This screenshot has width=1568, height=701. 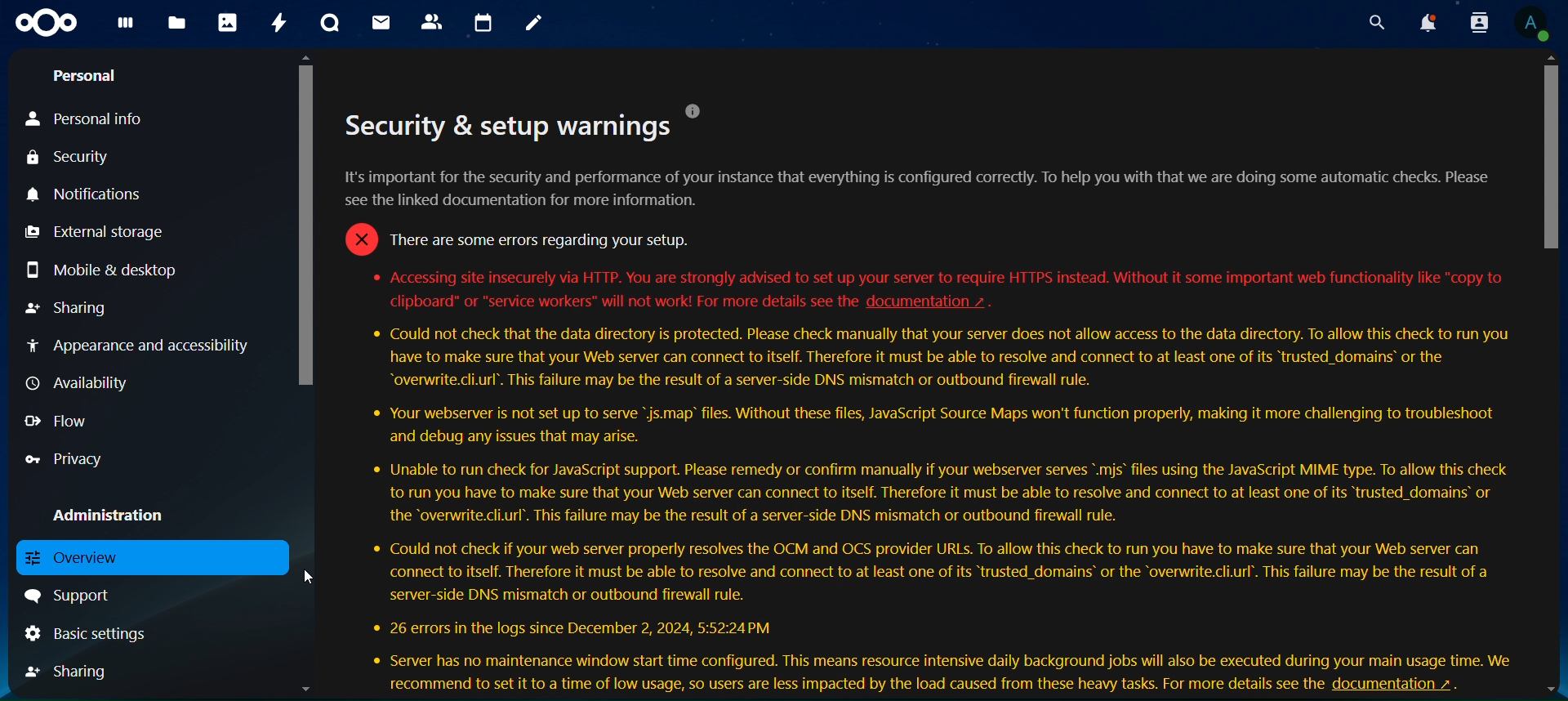 What do you see at coordinates (78, 560) in the screenshot?
I see `overview` at bounding box center [78, 560].